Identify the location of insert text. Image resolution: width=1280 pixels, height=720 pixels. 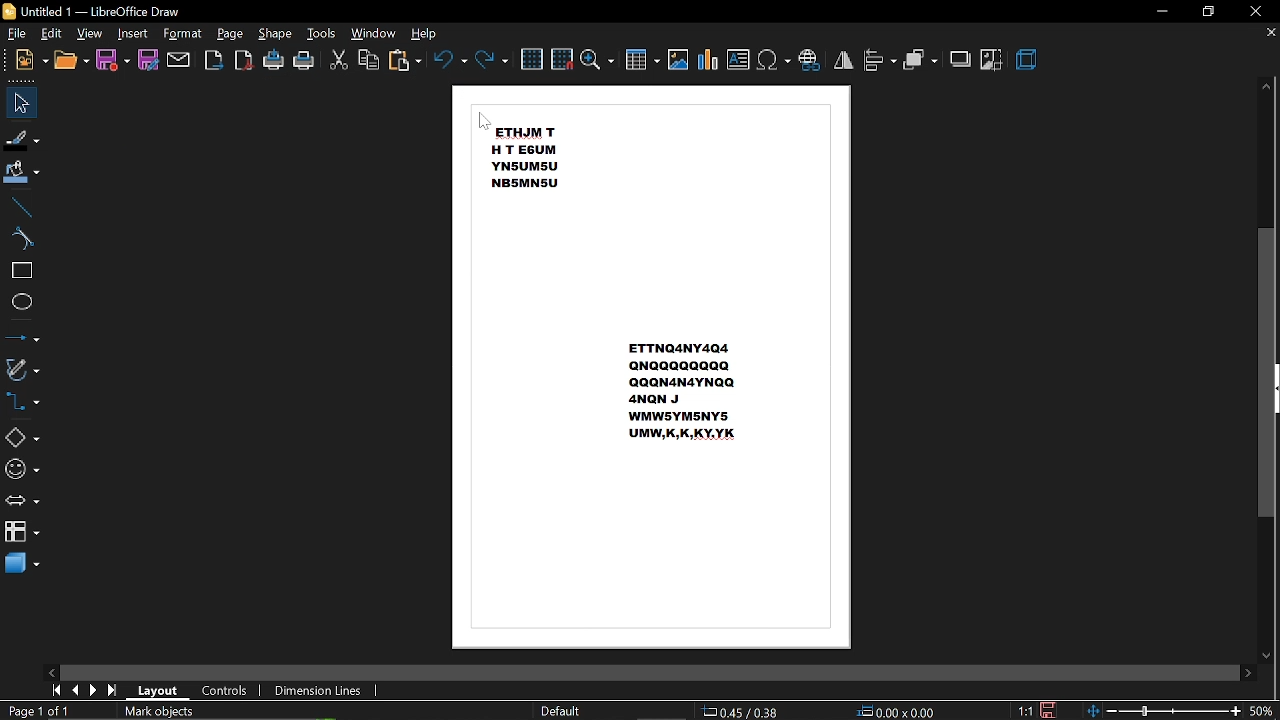
(738, 60).